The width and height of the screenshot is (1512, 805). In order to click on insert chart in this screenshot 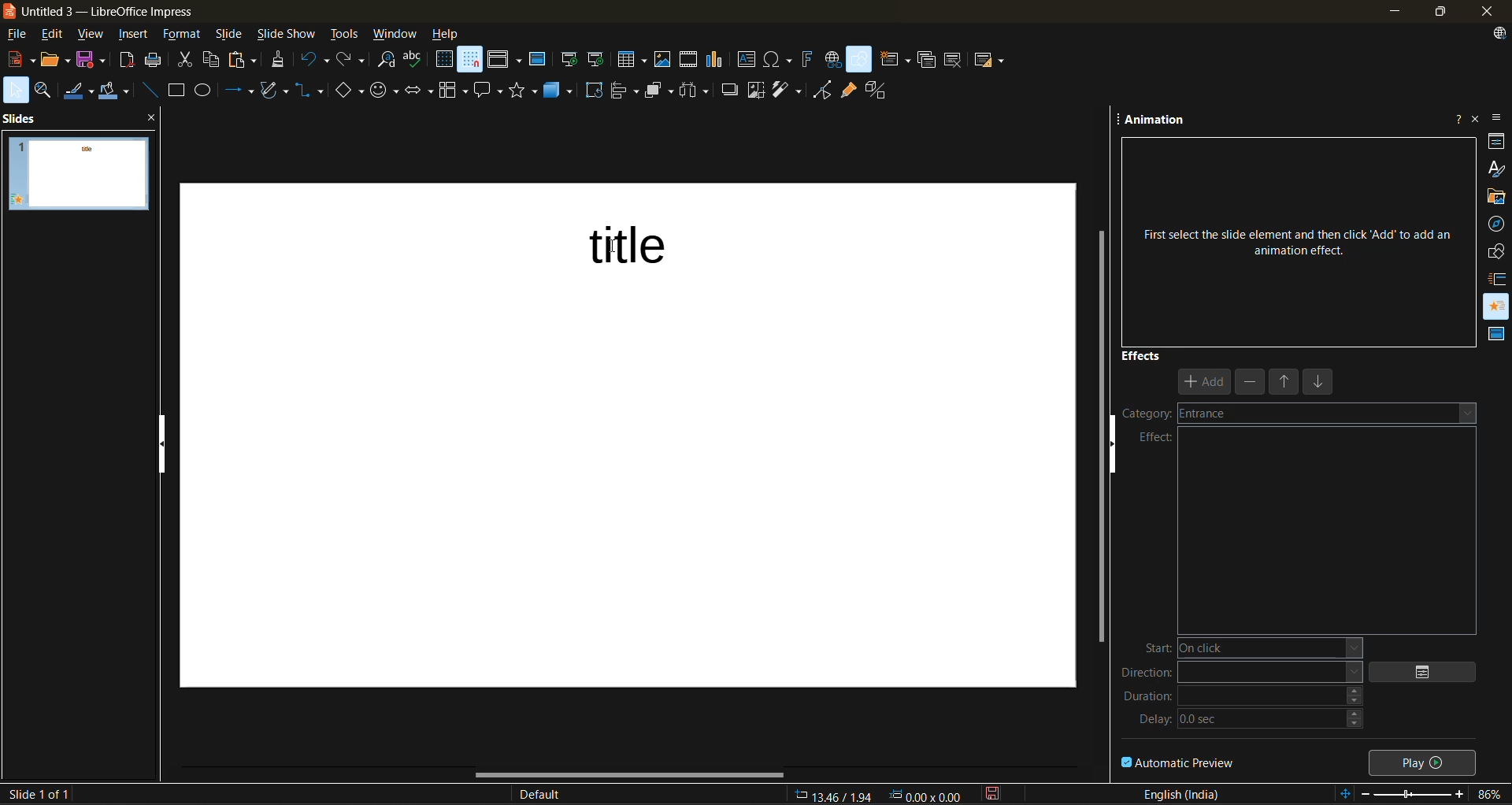, I will do `click(716, 60)`.